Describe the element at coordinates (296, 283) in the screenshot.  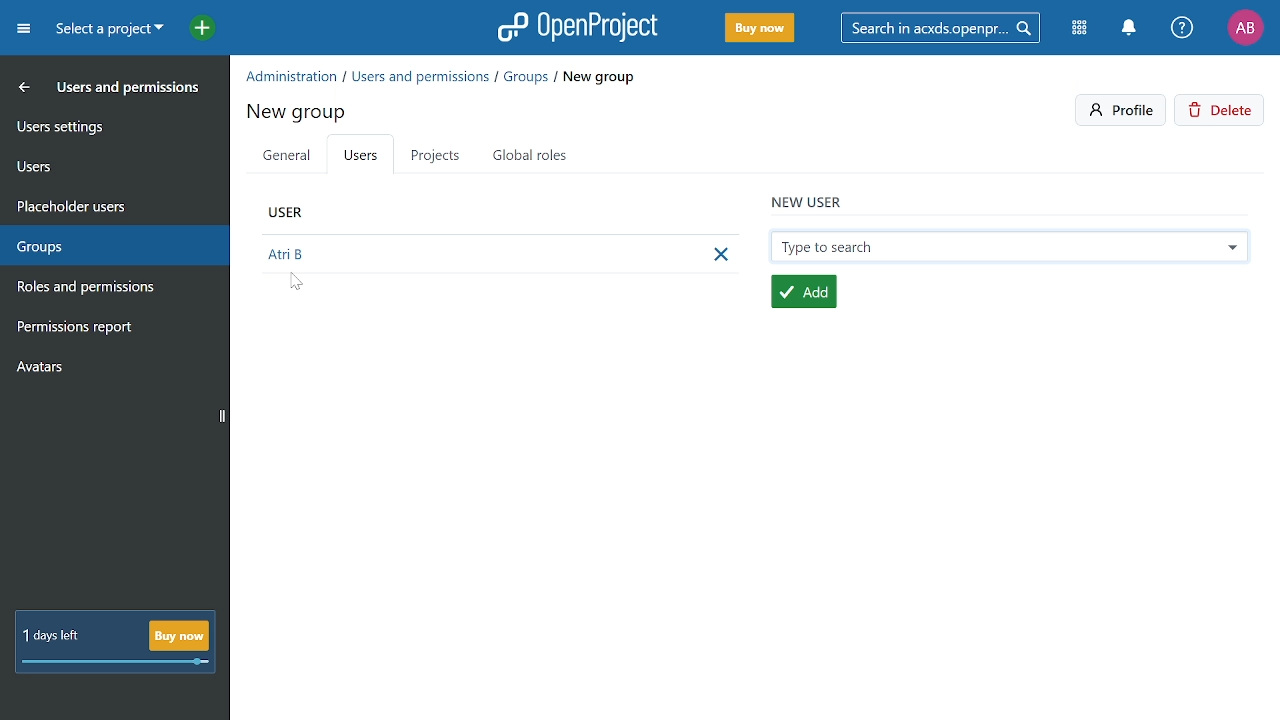
I see `cursor` at that location.